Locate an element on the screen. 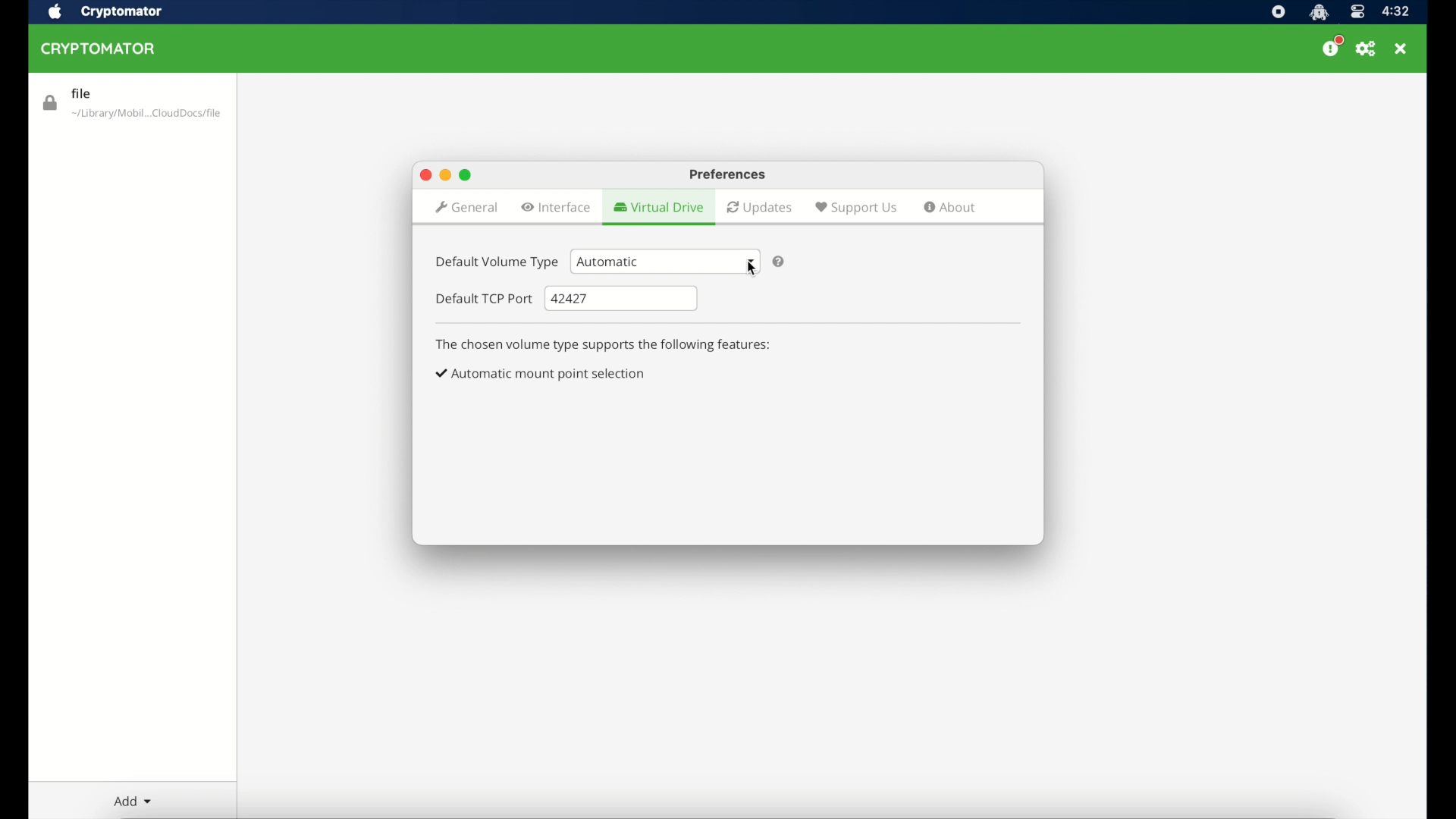 This screenshot has height=819, width=1456. file is located at coordinates (131, 104).